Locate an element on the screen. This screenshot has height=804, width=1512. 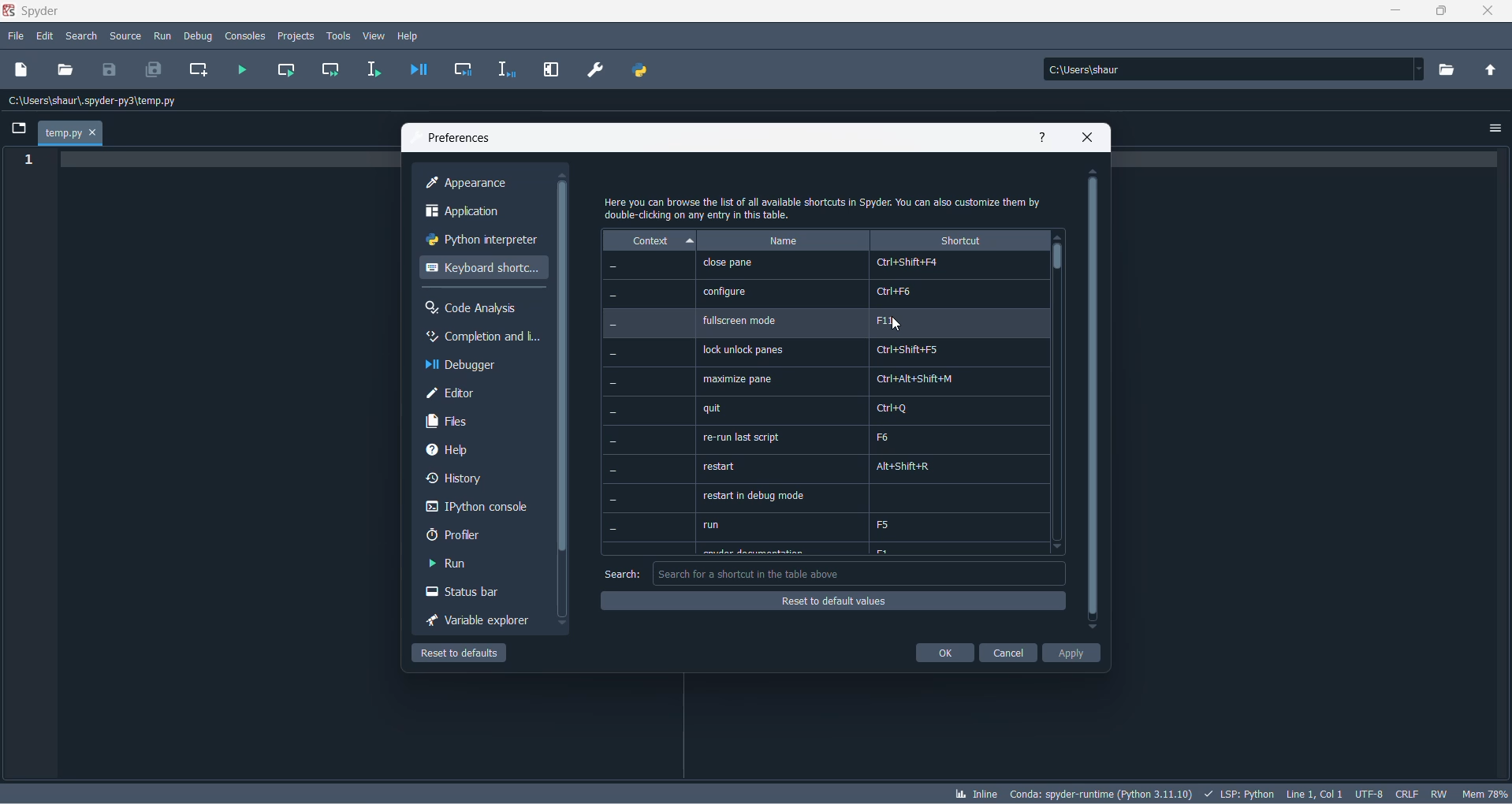
options is located at coordinates (1496, 125).